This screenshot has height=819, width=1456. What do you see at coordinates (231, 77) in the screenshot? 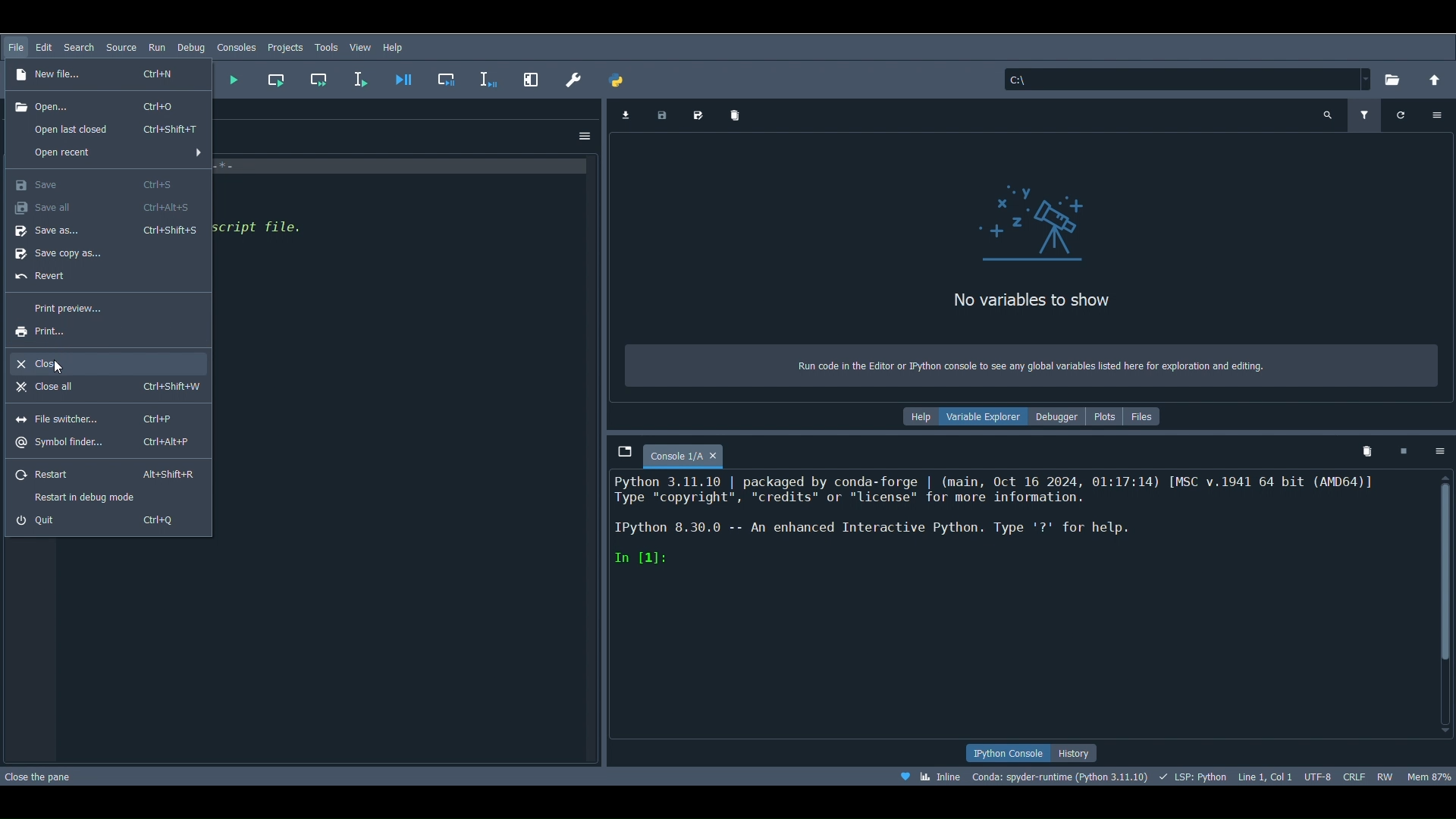
I see `Run file (F5)` at bounding box center [231, 77].